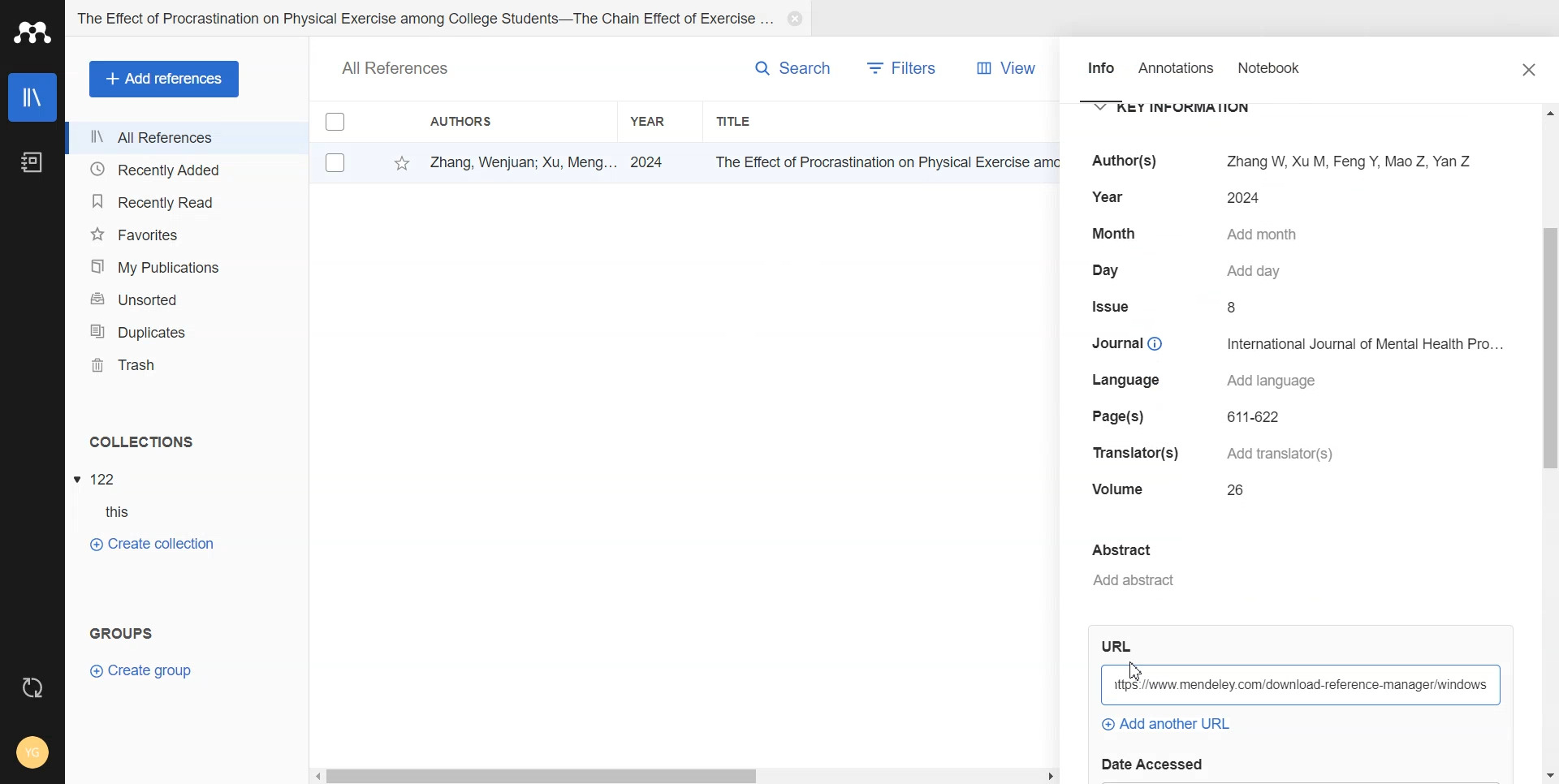 This screenshot has height=784, width=1559. I want to click on Search, so click(777, 68).